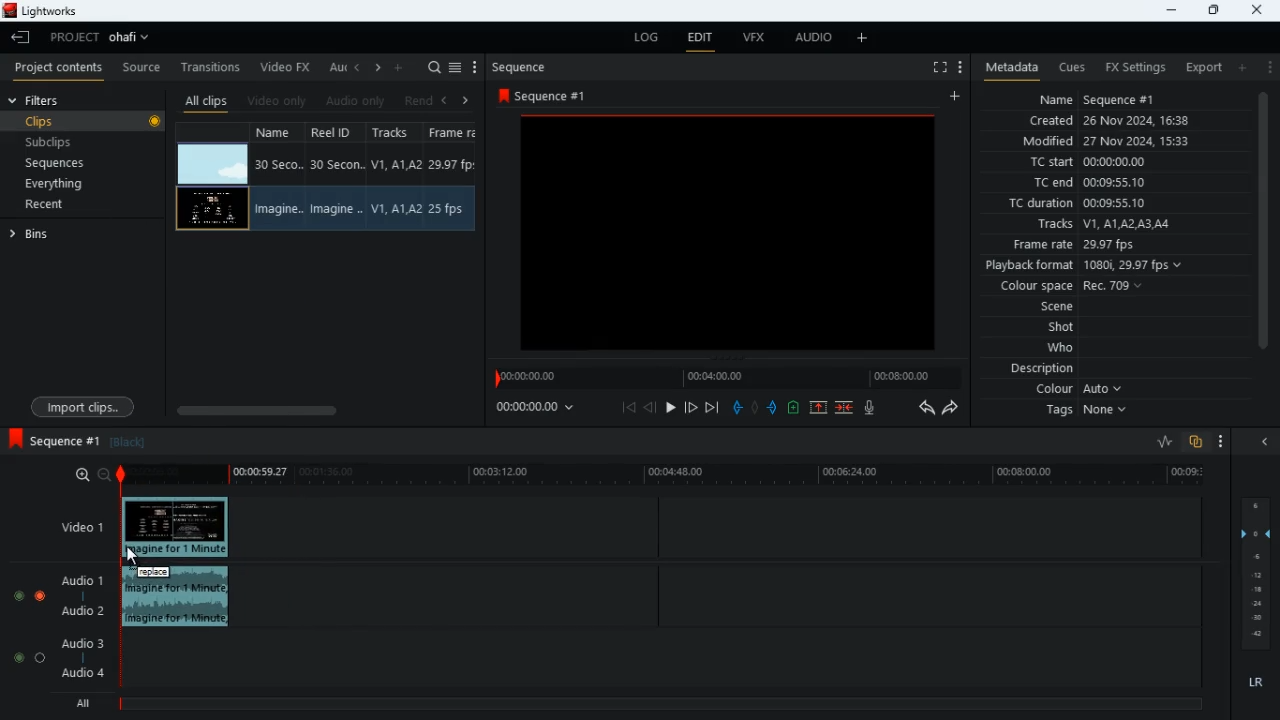 The height and width of the screenshot is (720, 1280). I want to click on zoom, so click(92, 474).